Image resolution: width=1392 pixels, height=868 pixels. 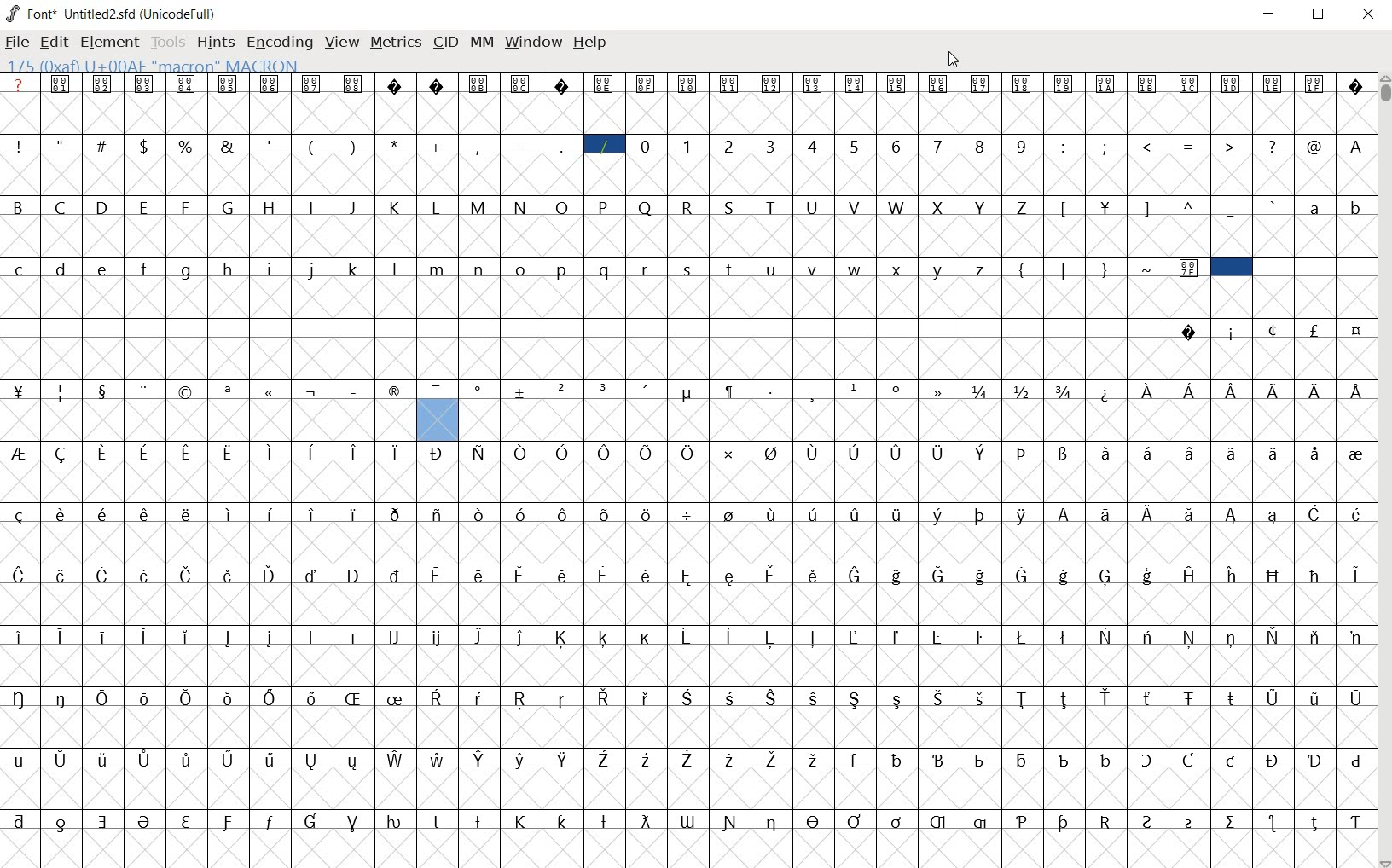 What do you see at coordinates (647, 389) in the screenshot?
I see `Symbol` at bounding box center [647, 389].